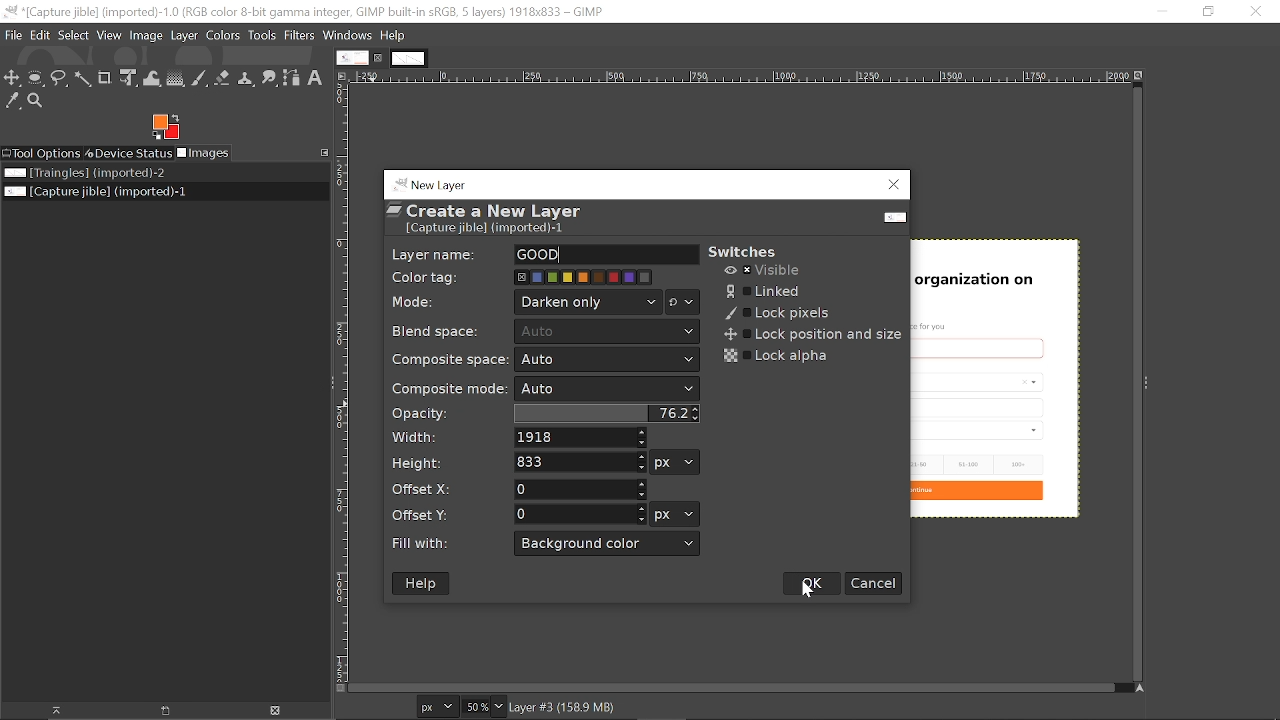 The width and height of the screenshot is (1280, 720). What do you see at coordinates (271, 711) in the screenshot?
I see `Delete image` at bounding box center [271, 711].